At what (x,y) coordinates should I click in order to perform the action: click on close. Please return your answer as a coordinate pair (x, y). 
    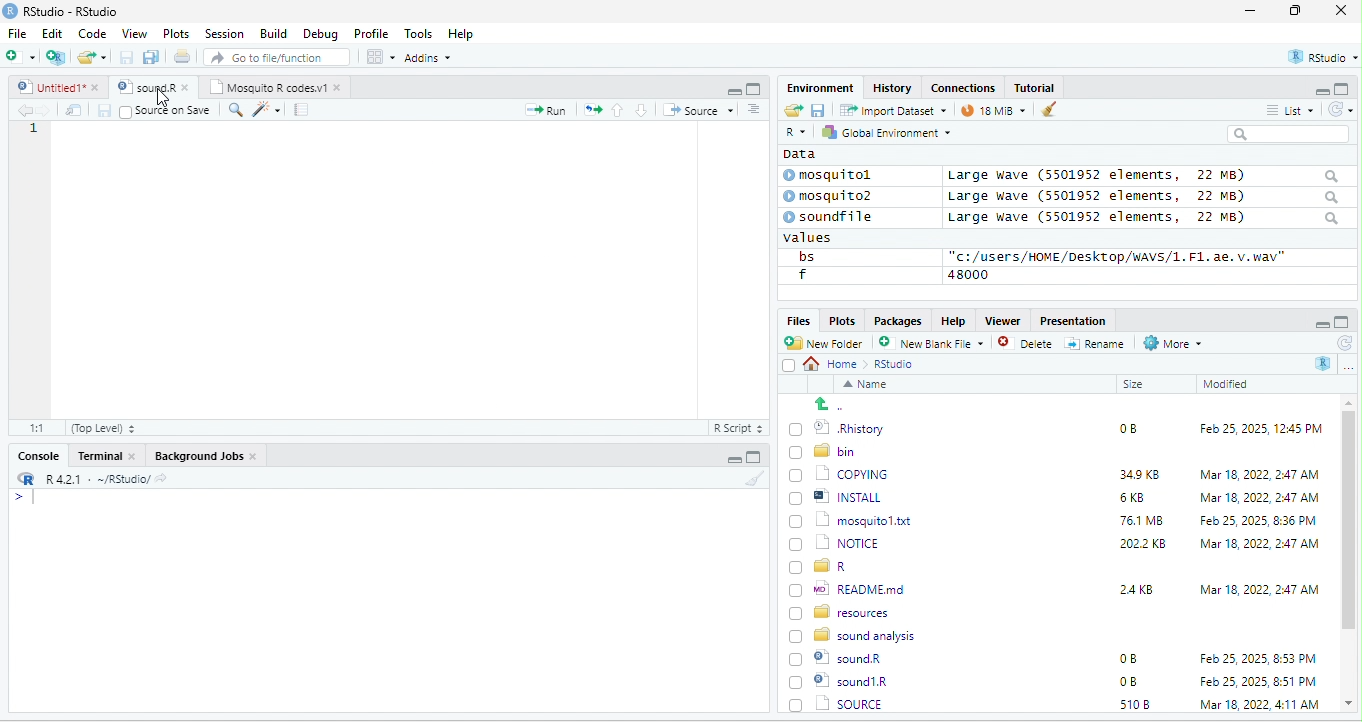
    Looking at the image, I should click on (1341, 12).